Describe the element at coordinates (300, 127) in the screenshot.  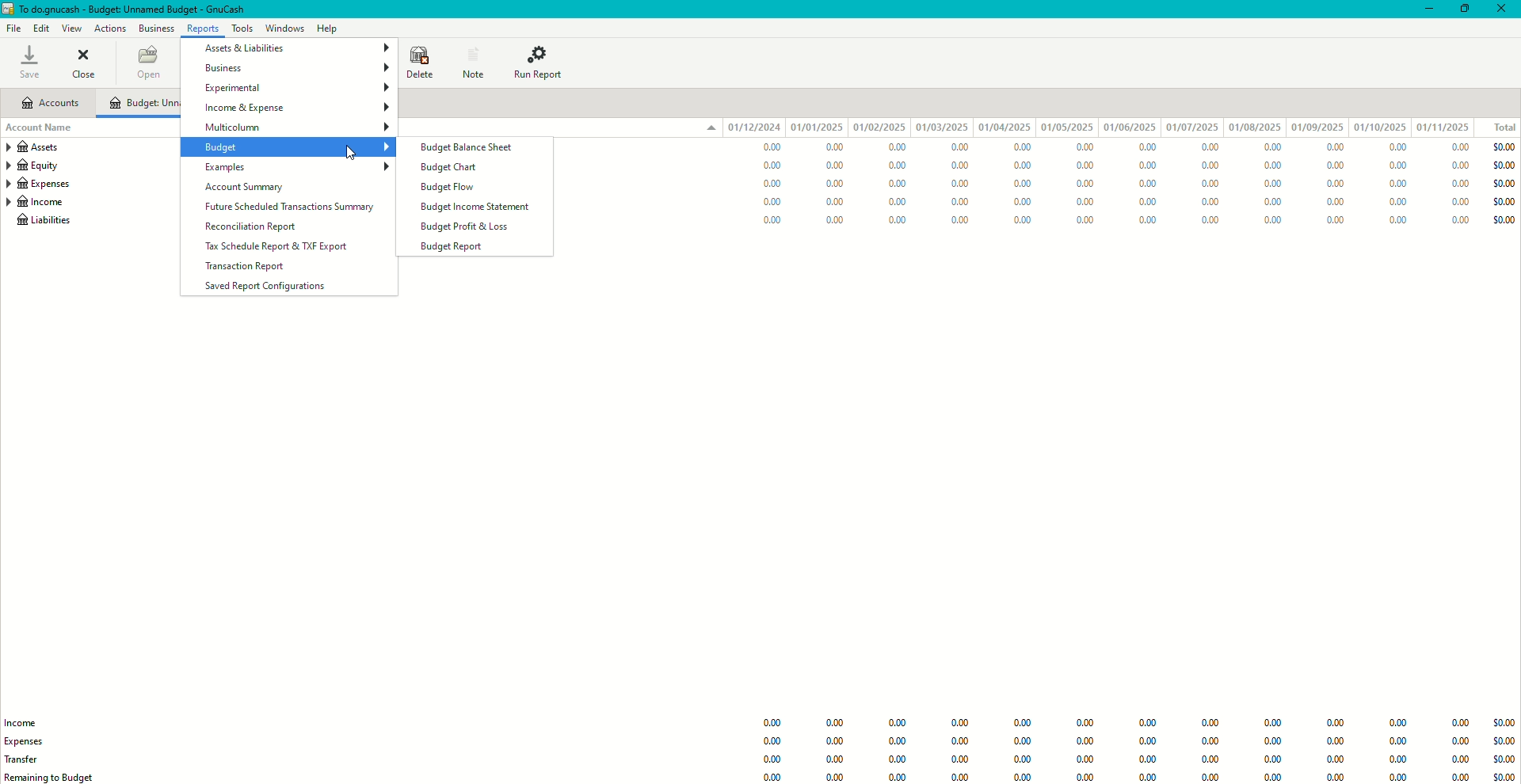
I see `Multicolumn` at that location.